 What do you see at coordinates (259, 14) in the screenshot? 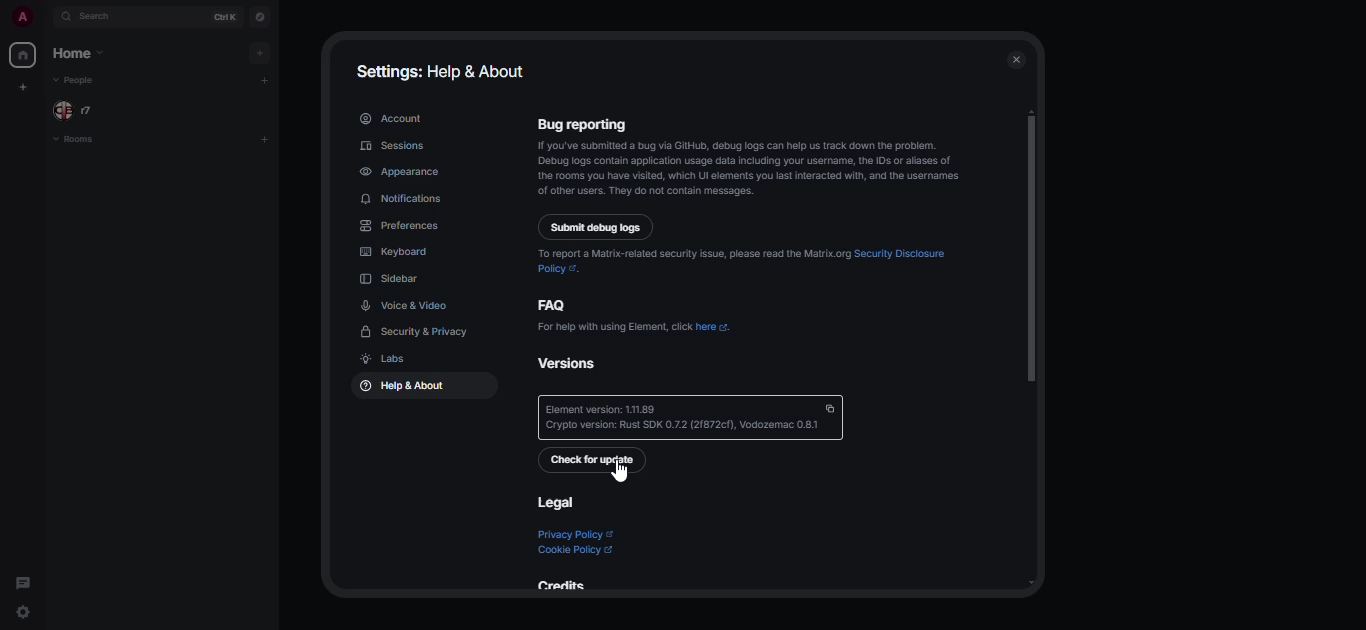
I see `navigator` at bounding box center [259, 14].